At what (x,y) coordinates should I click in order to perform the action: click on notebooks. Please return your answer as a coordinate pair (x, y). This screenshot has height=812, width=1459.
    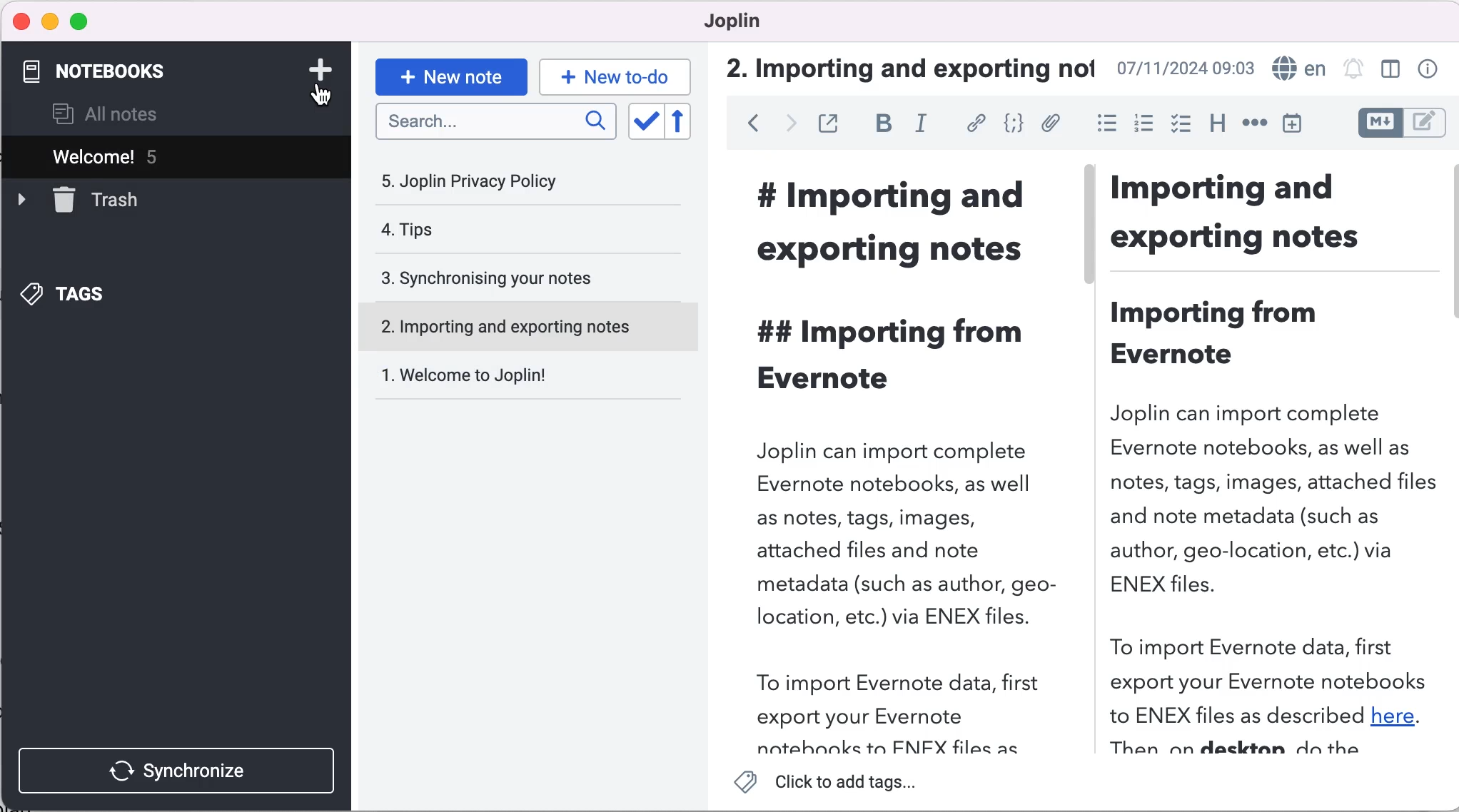
    Looking at the image, I should click on (106, 71).